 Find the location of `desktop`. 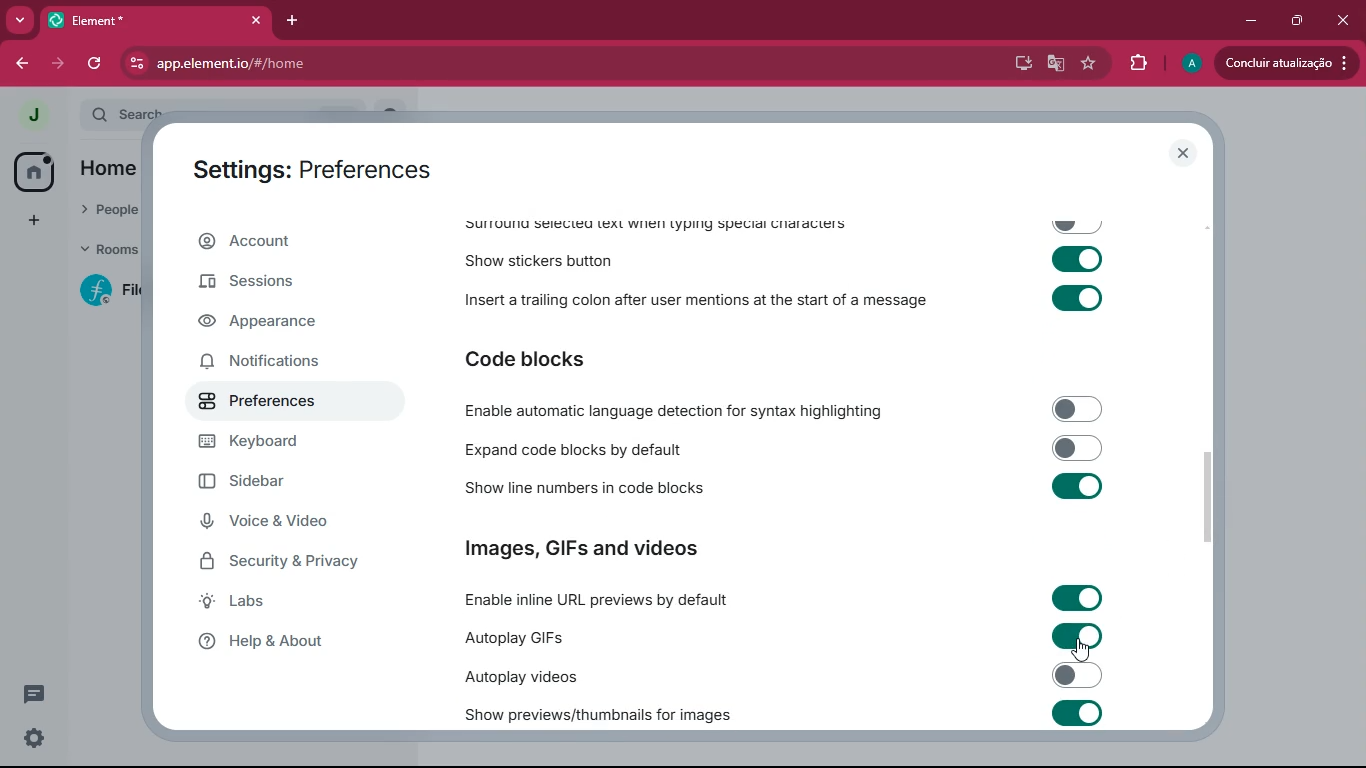

desktop is located at coordinates (1016, 64).